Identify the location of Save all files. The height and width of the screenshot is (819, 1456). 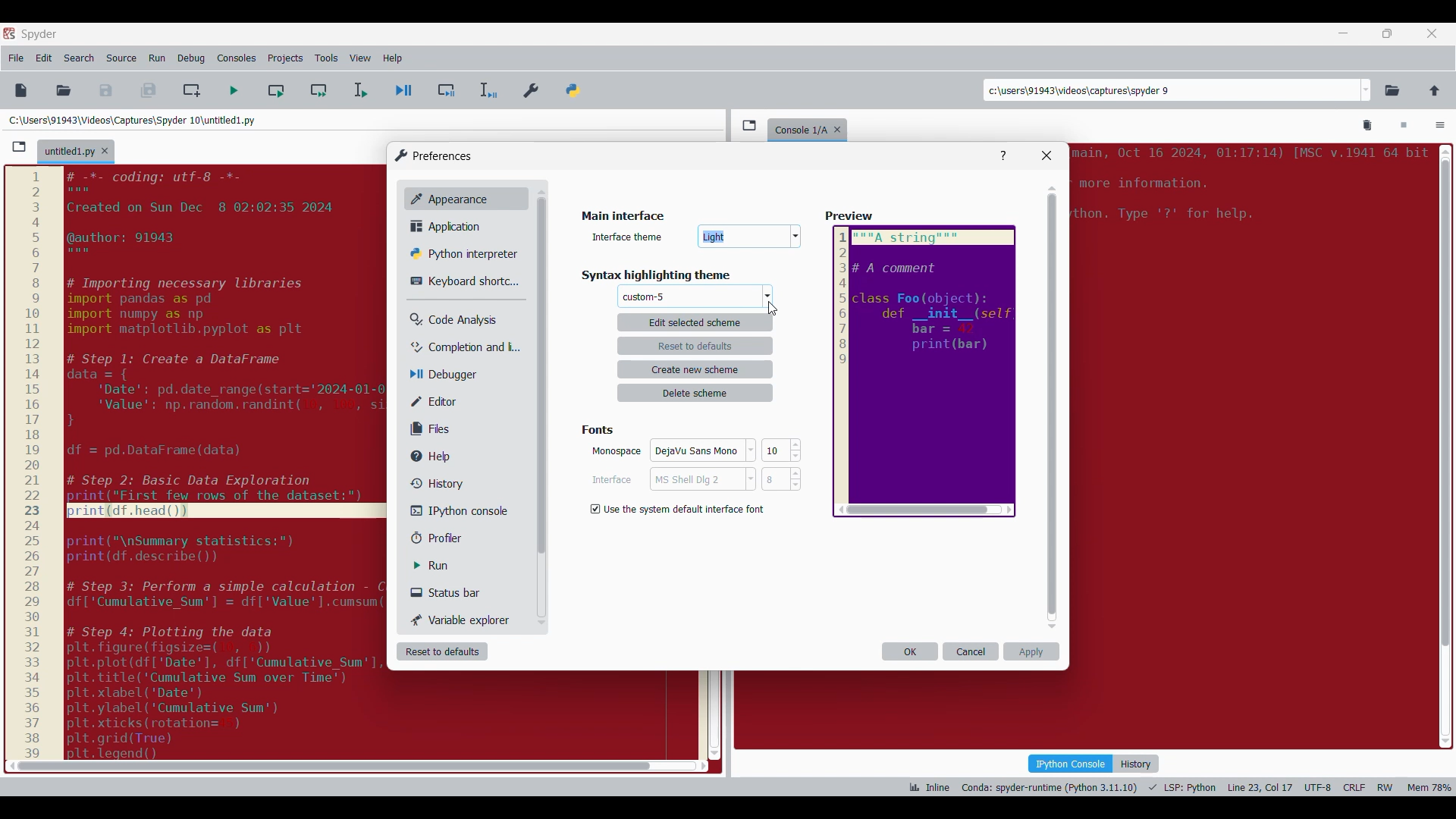
(148, 90).